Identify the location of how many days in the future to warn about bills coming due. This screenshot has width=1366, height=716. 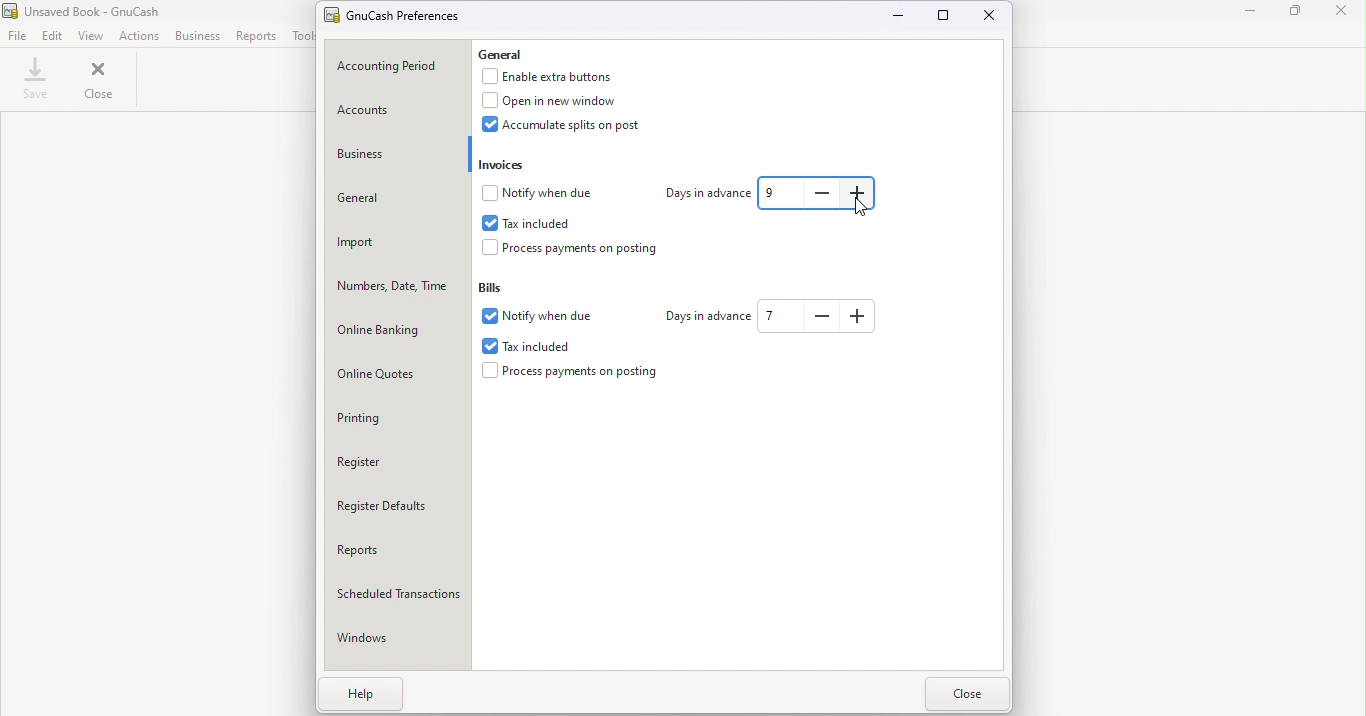
(824, 317).